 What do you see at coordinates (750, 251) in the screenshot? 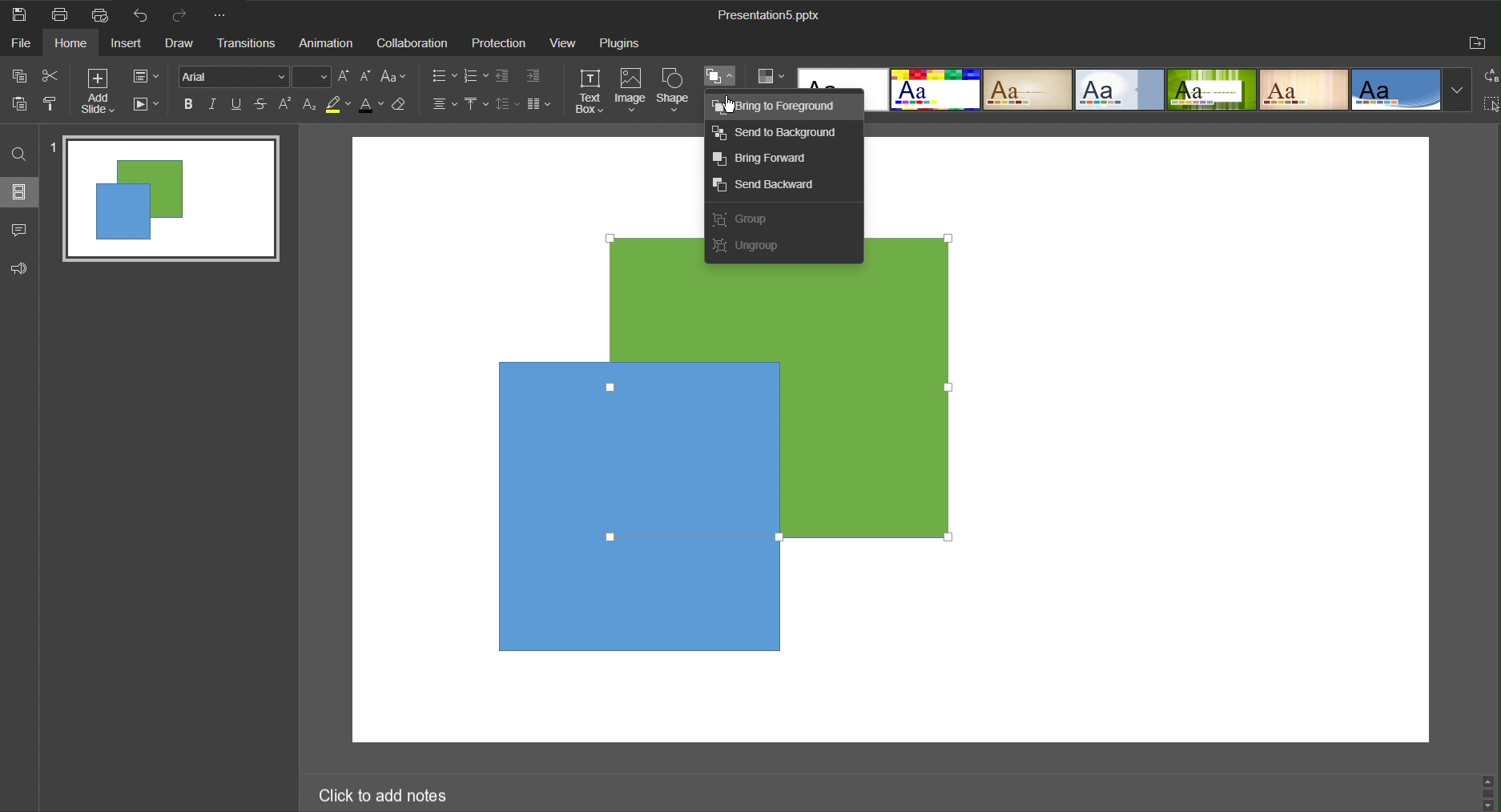
I see `Ungroup` at bounding box center [750, 251].